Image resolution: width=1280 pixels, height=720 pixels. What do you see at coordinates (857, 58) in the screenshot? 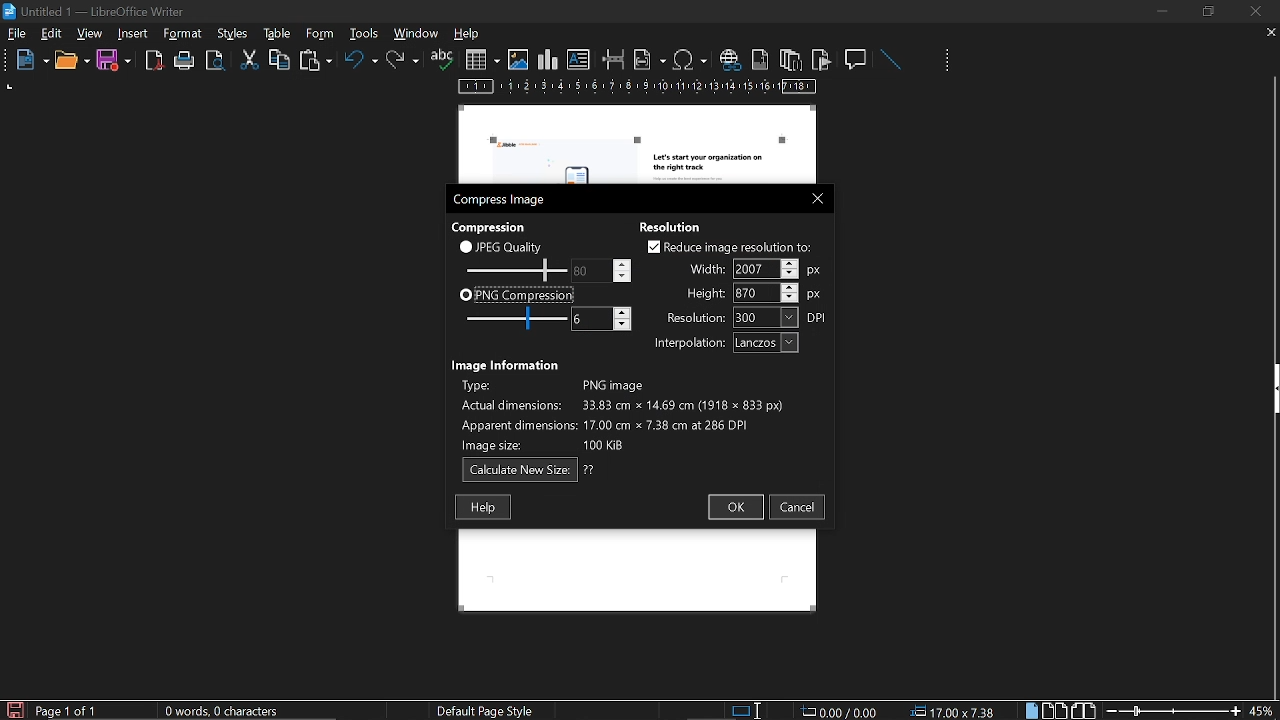
I see `insert comment` at bounding box center [857, 58].